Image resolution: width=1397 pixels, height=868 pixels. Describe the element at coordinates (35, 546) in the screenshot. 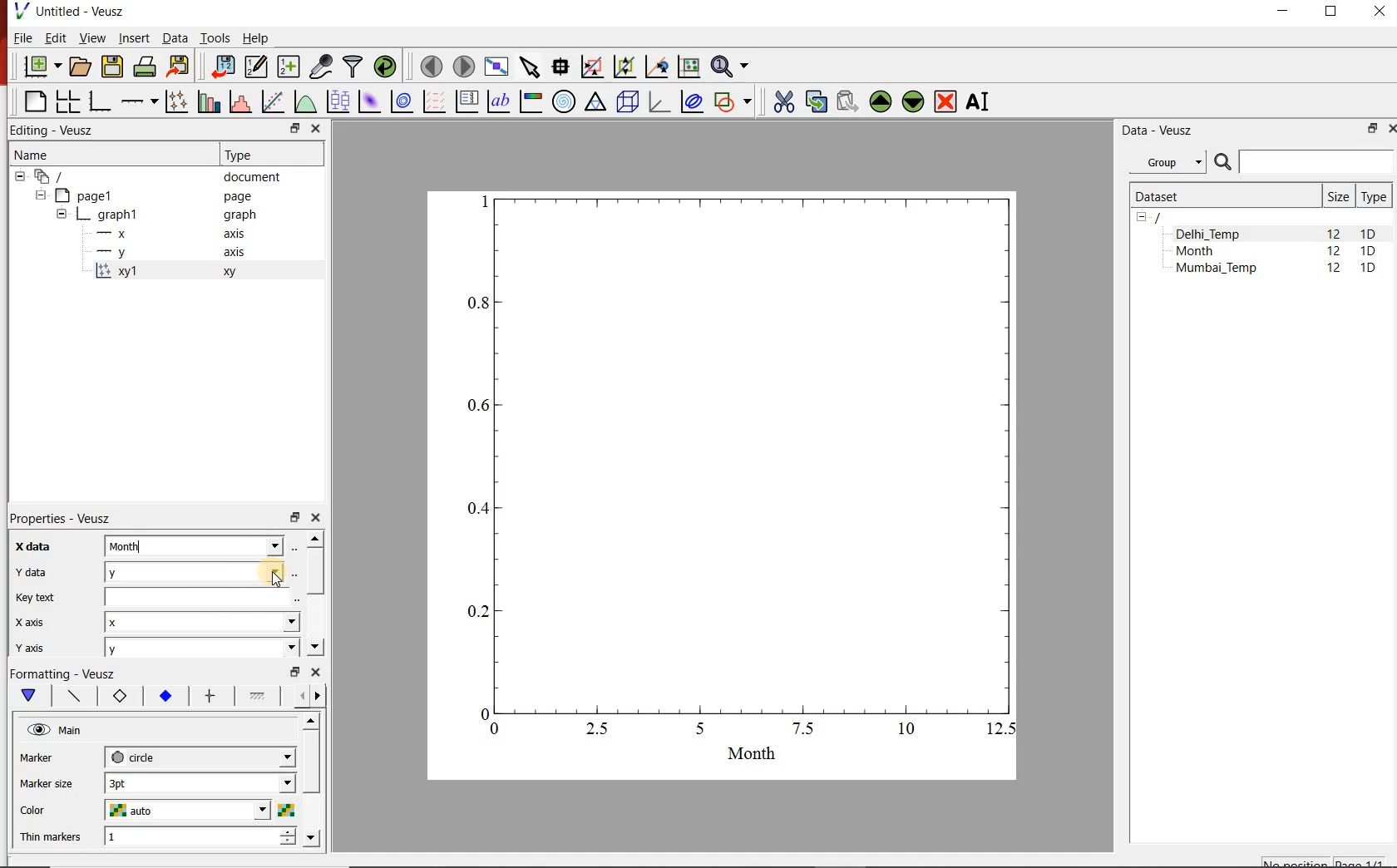

I see `x-data` at that location.